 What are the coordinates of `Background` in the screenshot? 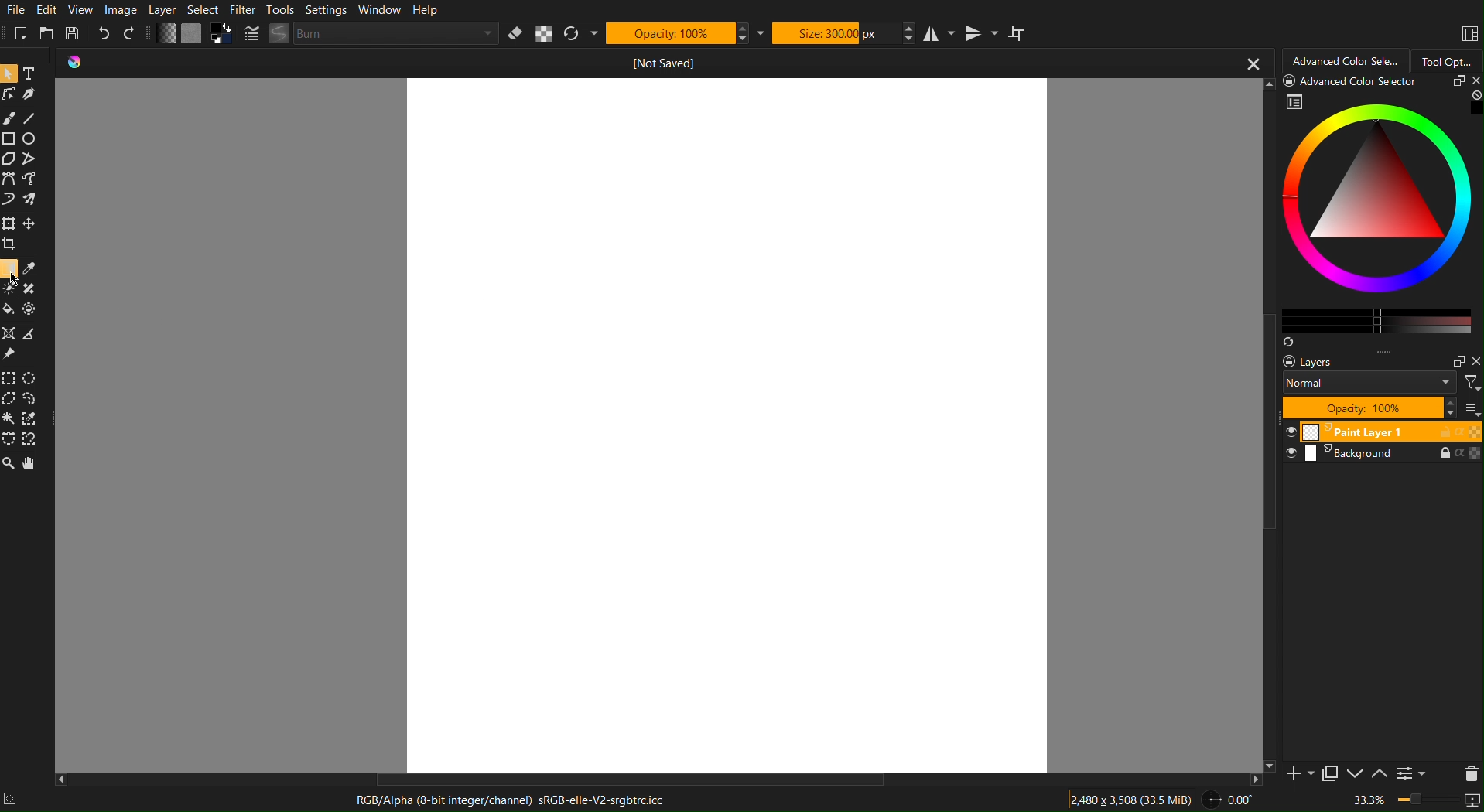 It's located at (1381, 456).